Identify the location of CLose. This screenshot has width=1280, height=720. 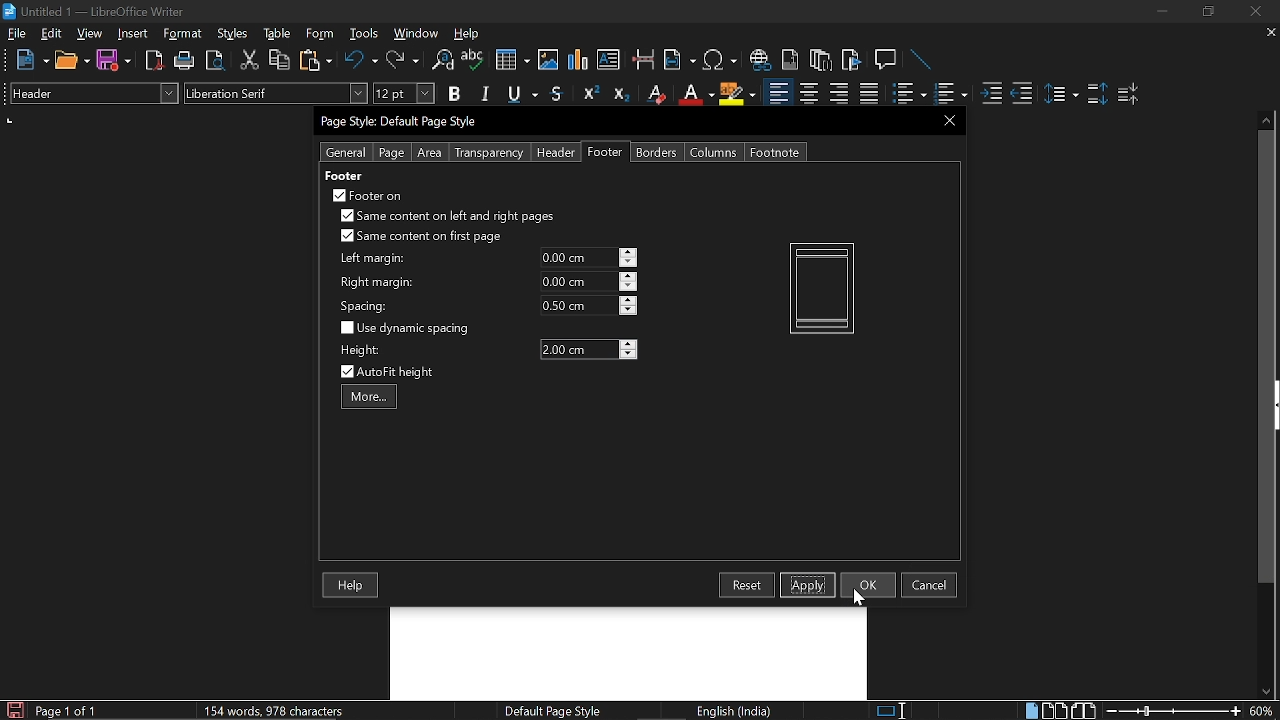
(947, 120).